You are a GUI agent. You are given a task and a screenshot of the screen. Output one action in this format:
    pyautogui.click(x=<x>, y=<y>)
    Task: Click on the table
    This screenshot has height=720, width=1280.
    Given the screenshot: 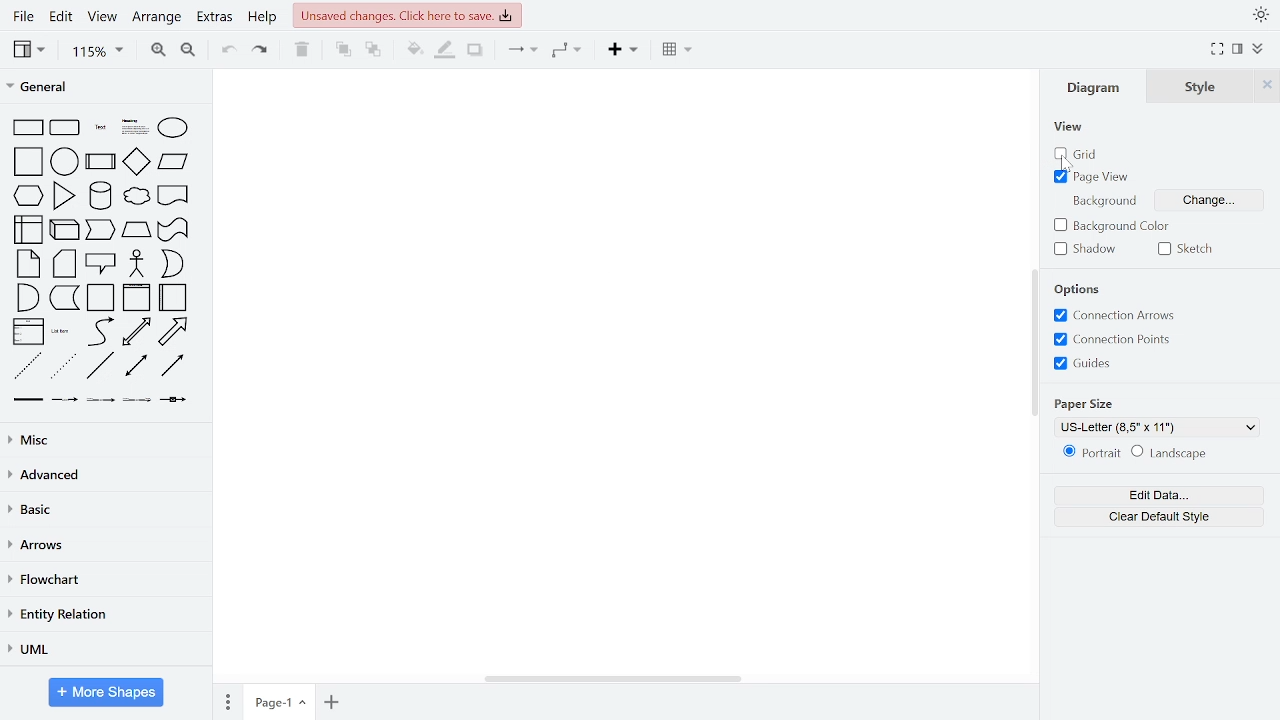 What is the action you would take?
    pyautogui.click(x=676, y=51)
    